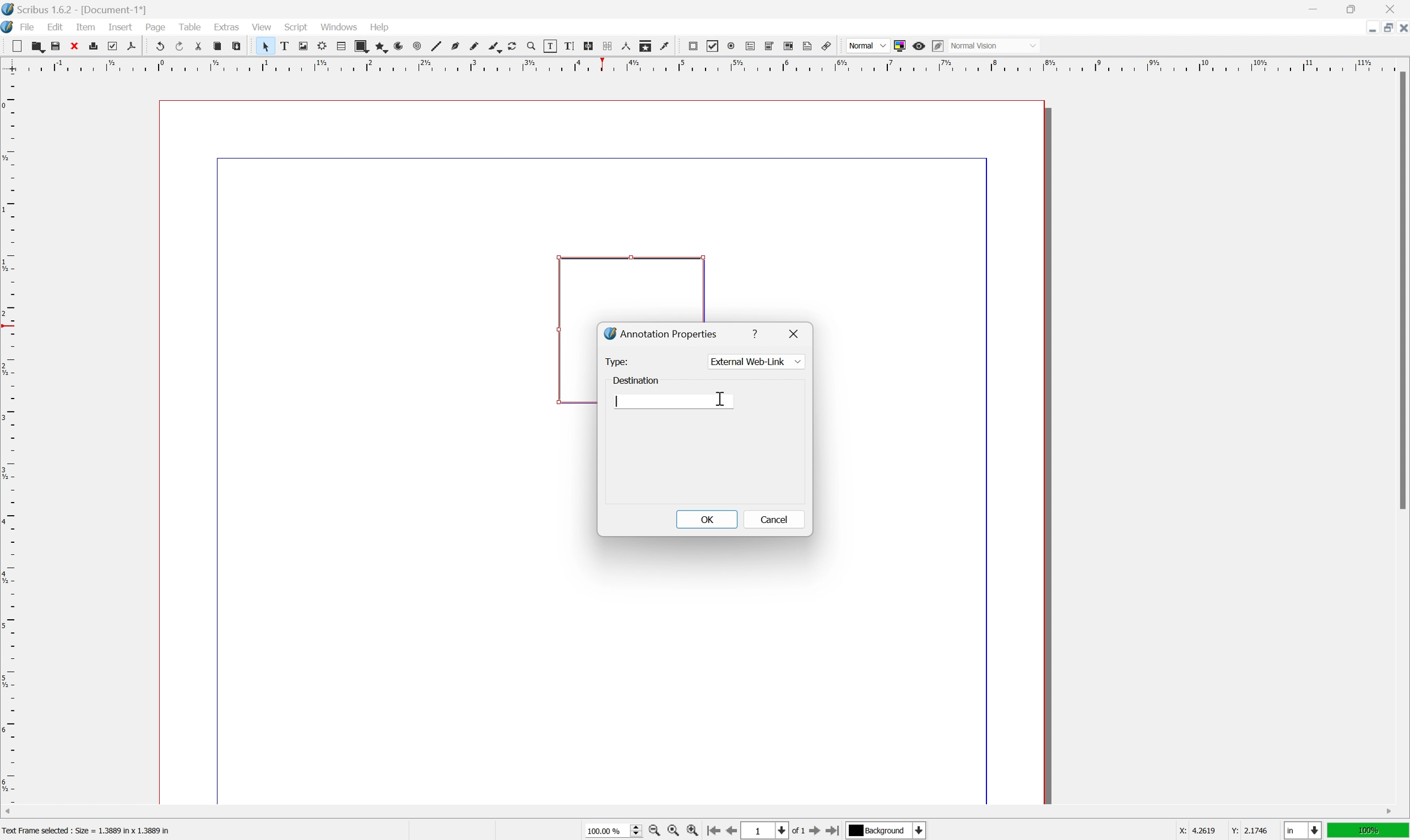  What do you see at coordinates (1353, 8) in the screenshot?
I see `restore down` at bounding box center [1353, 8].